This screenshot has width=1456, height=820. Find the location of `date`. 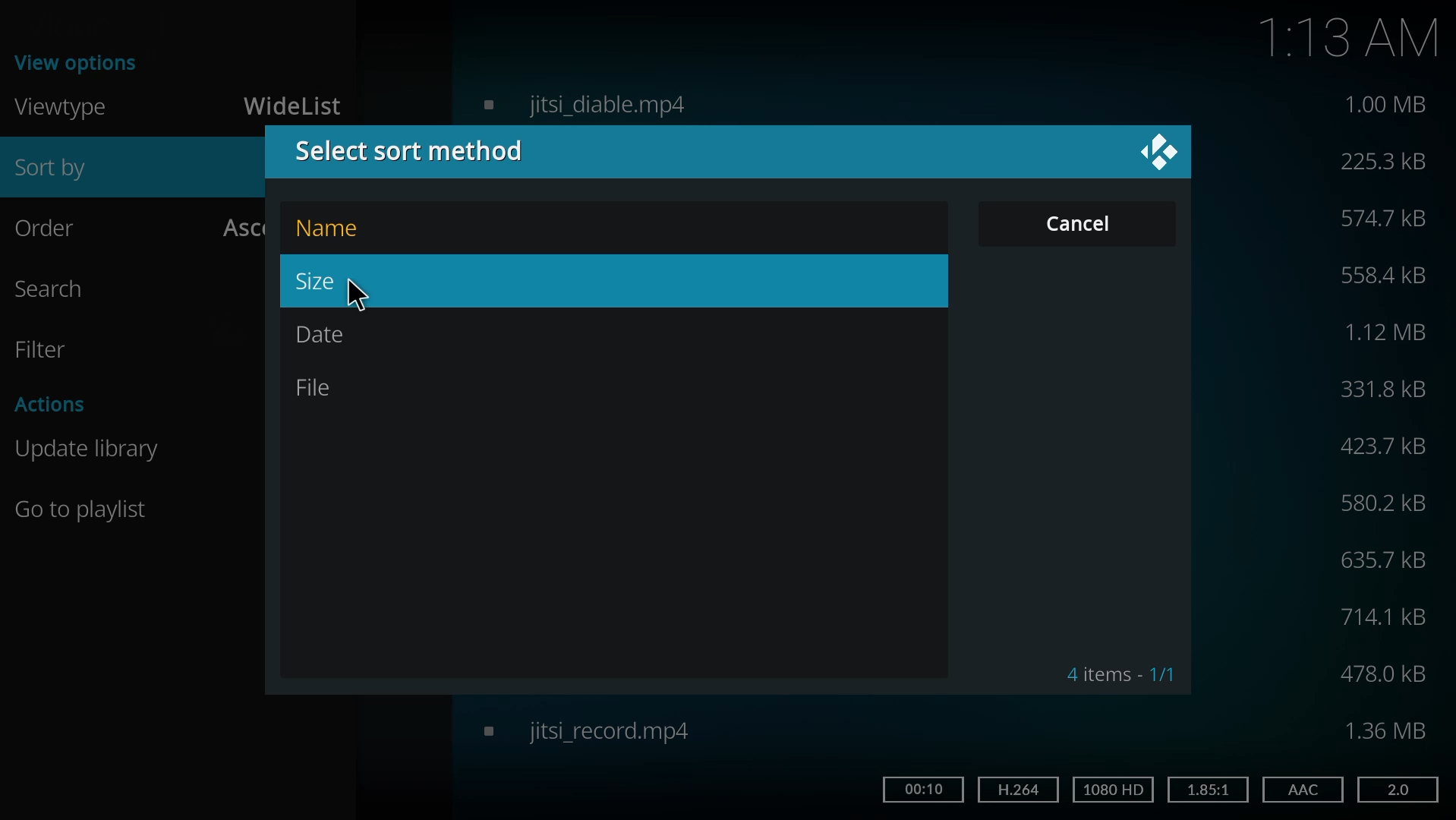

date is located at coordinates (613, 337).